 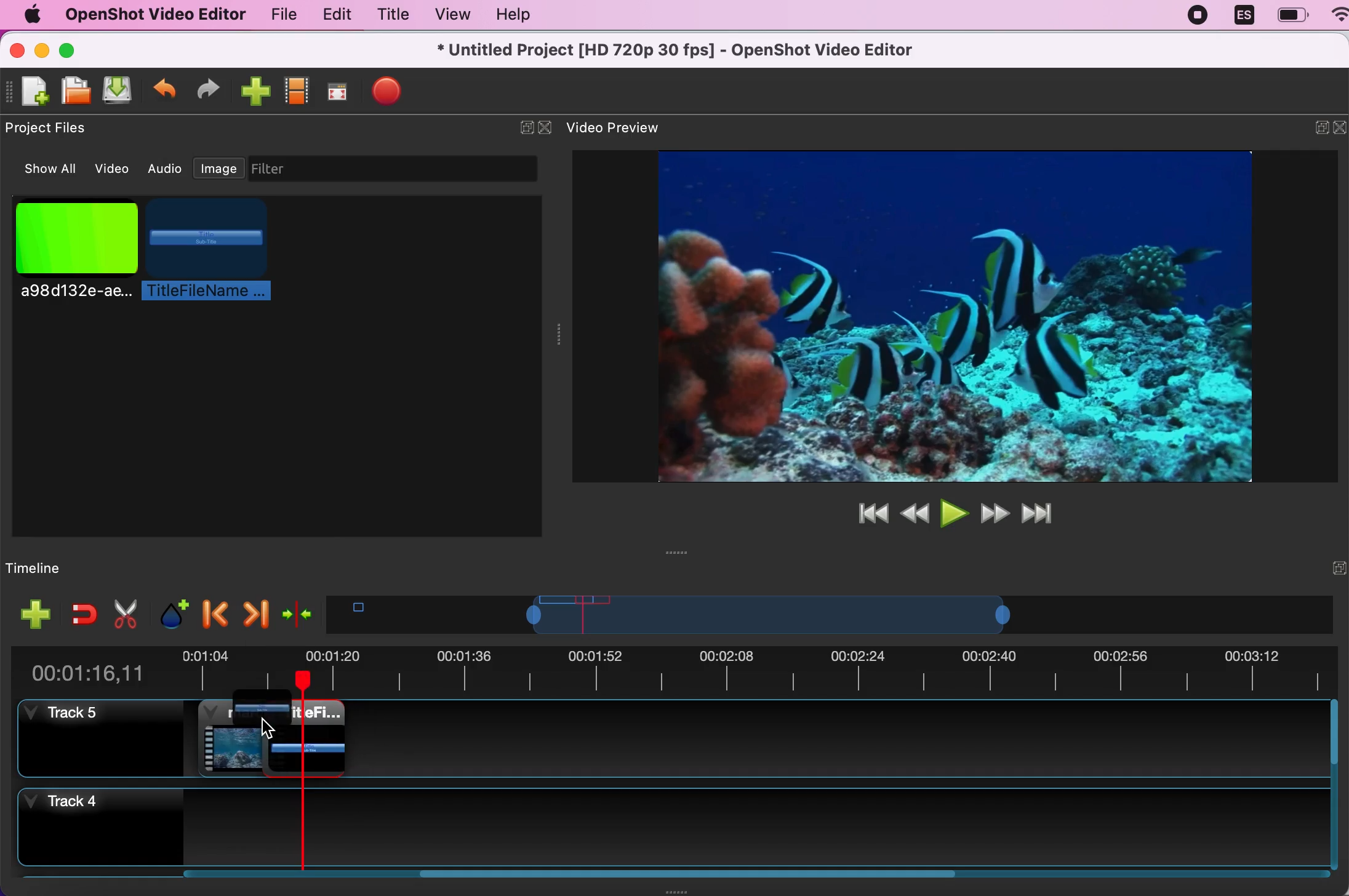 What do you see at coordinates (396, 94) in the screenshot?
I see `export file` at bounding box center [396, 94].